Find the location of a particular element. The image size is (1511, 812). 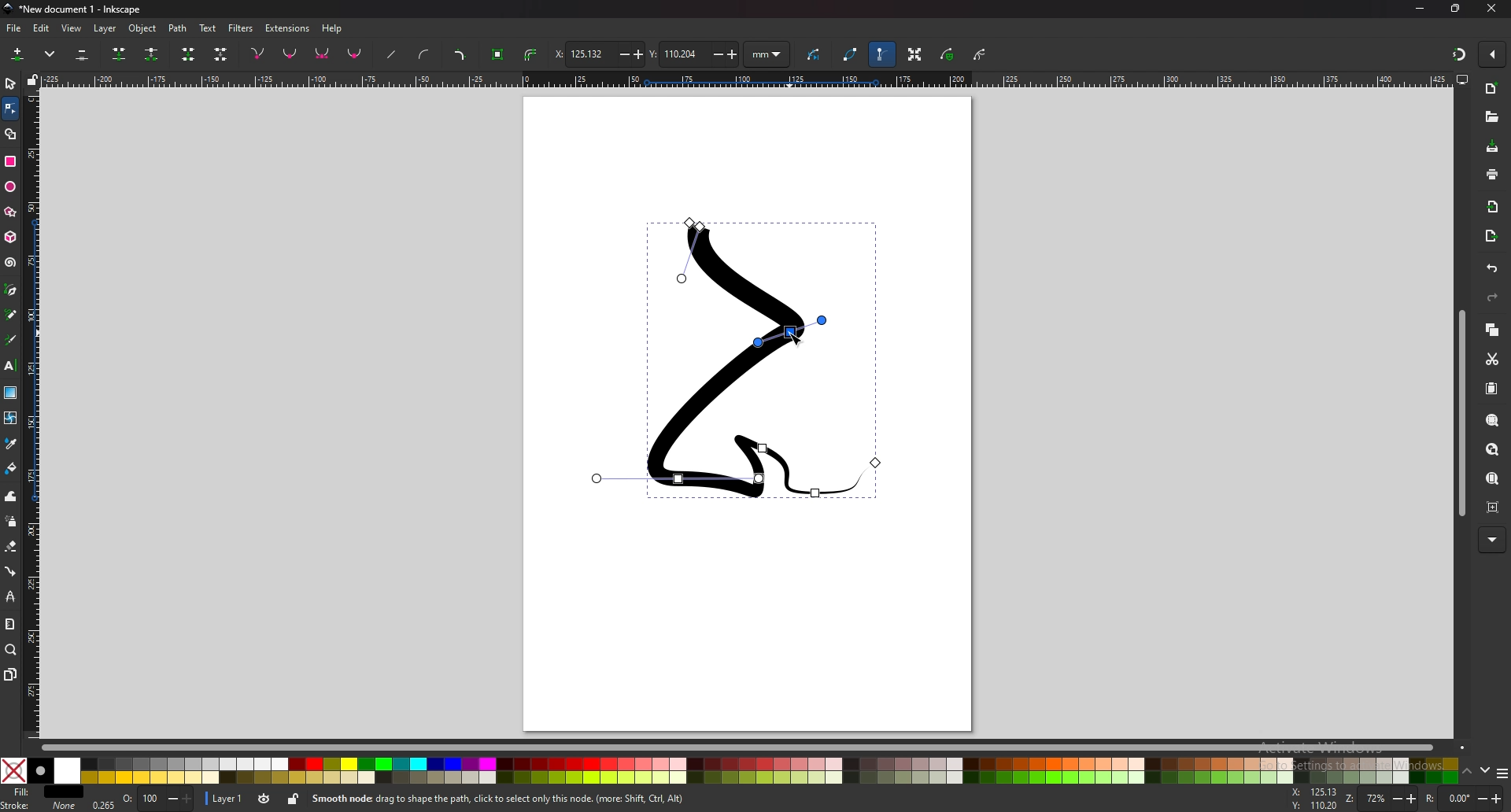

close is located at coordinates (1493, 9).